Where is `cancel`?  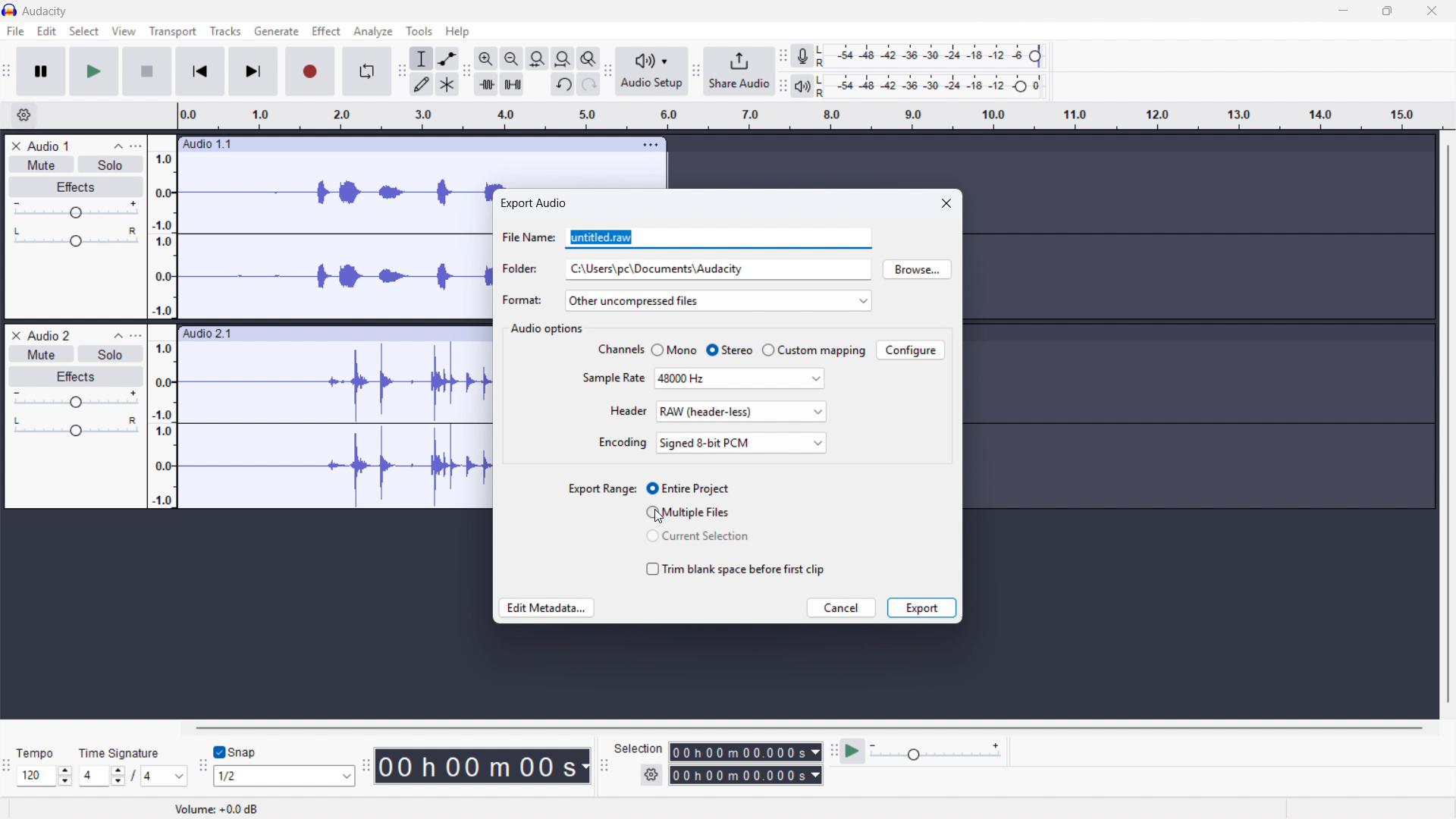 cancel is located at coordinates (841, 607).